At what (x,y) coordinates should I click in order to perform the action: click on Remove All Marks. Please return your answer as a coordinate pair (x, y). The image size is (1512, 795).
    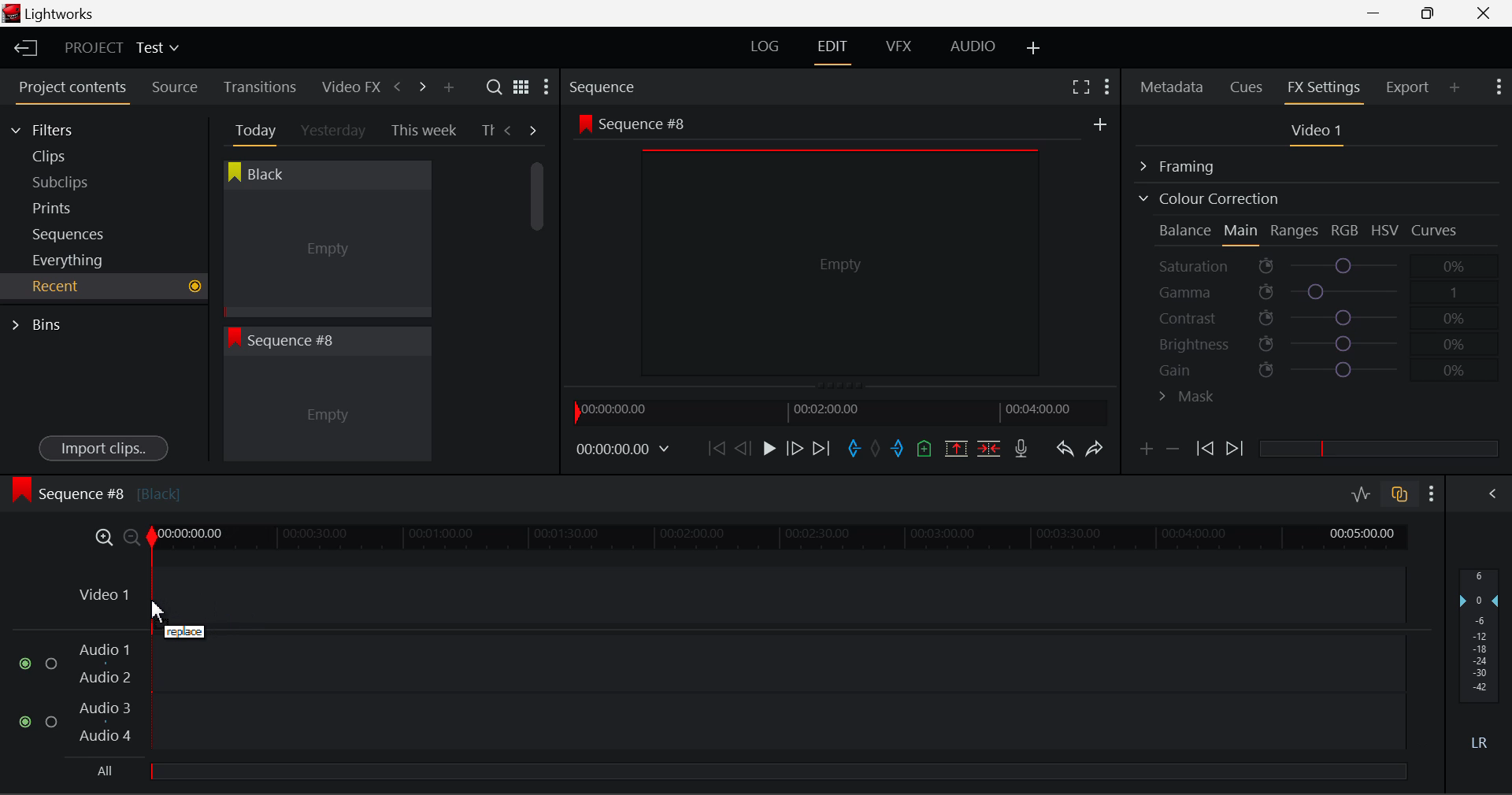
    Looking at the image, I should click on (877, 450).